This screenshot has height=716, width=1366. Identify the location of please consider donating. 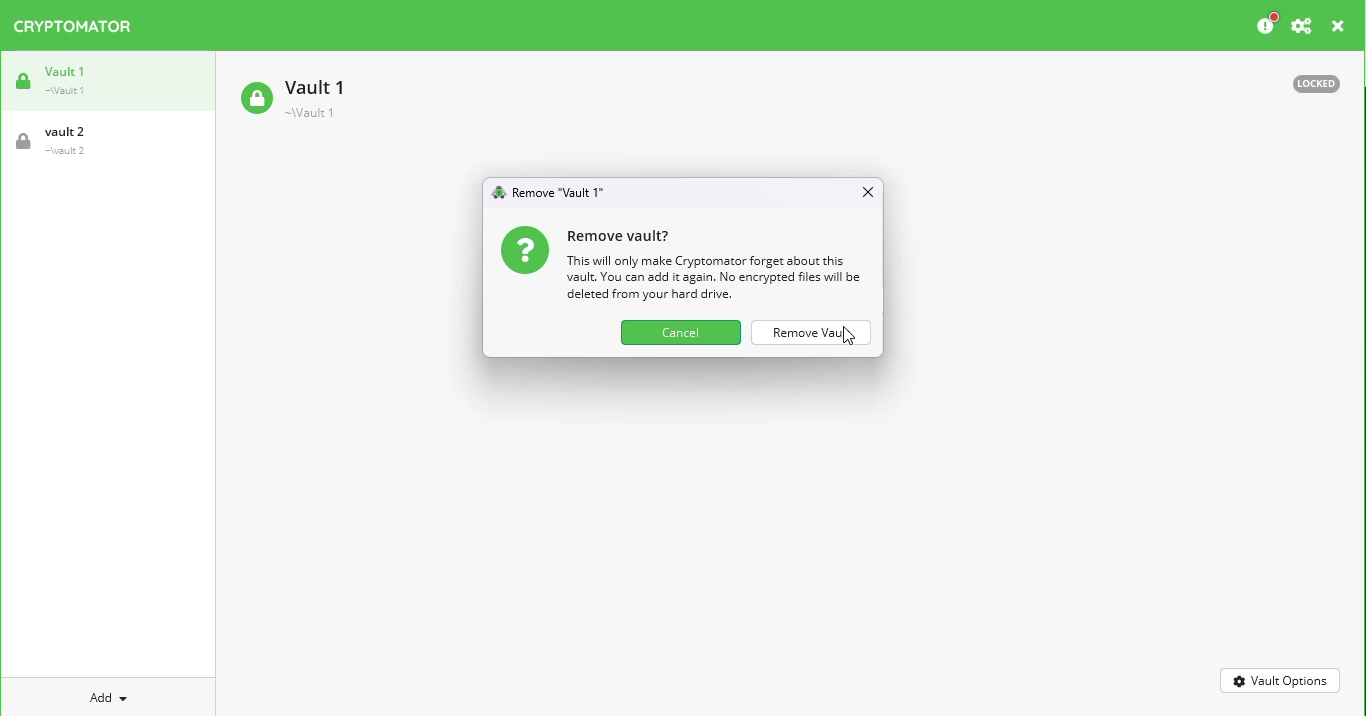
(1266, 24).